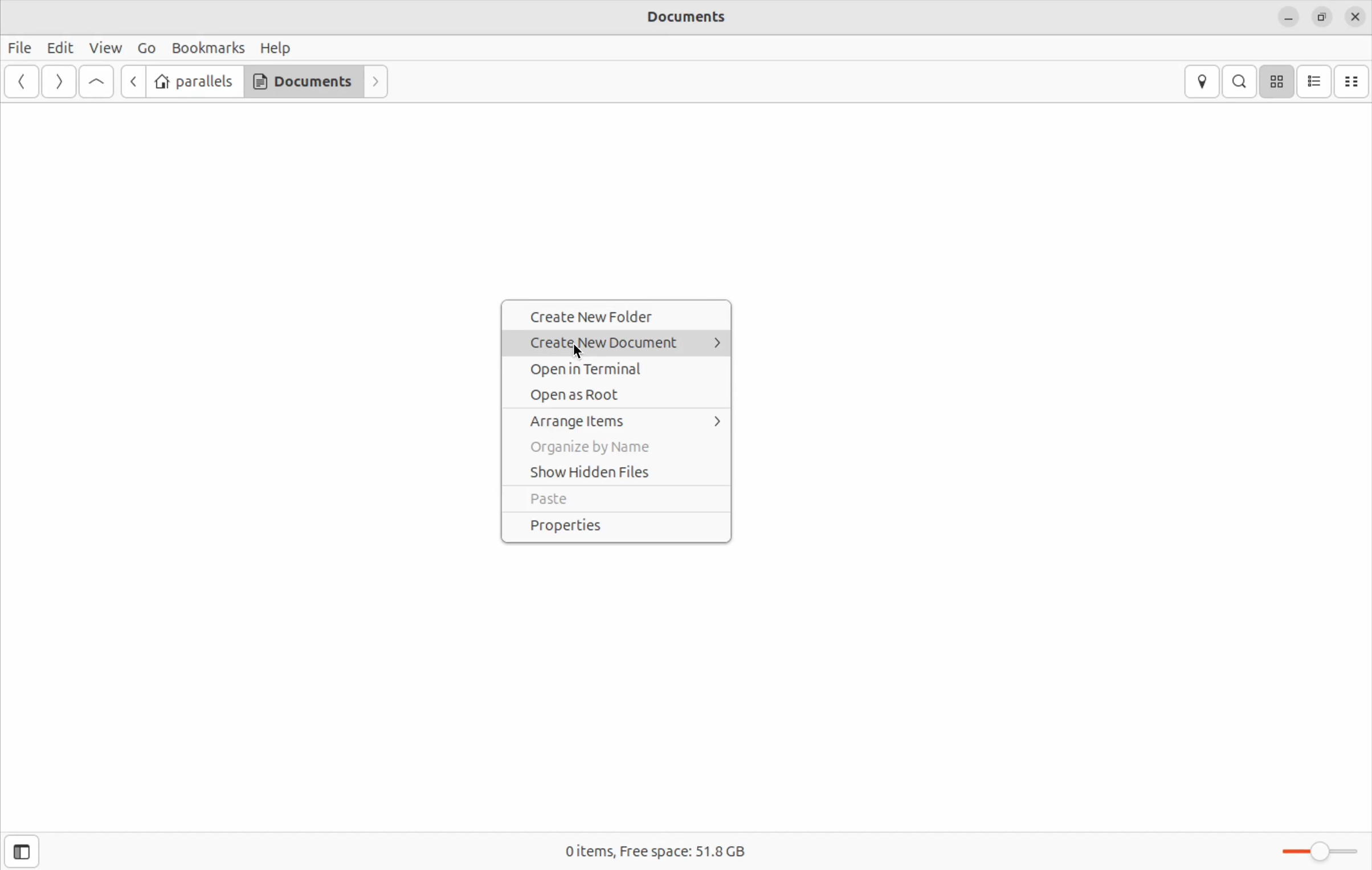  Describe the element at coordinates (622, 366) in the screenshot. I see `Open in Terminal` at that location.